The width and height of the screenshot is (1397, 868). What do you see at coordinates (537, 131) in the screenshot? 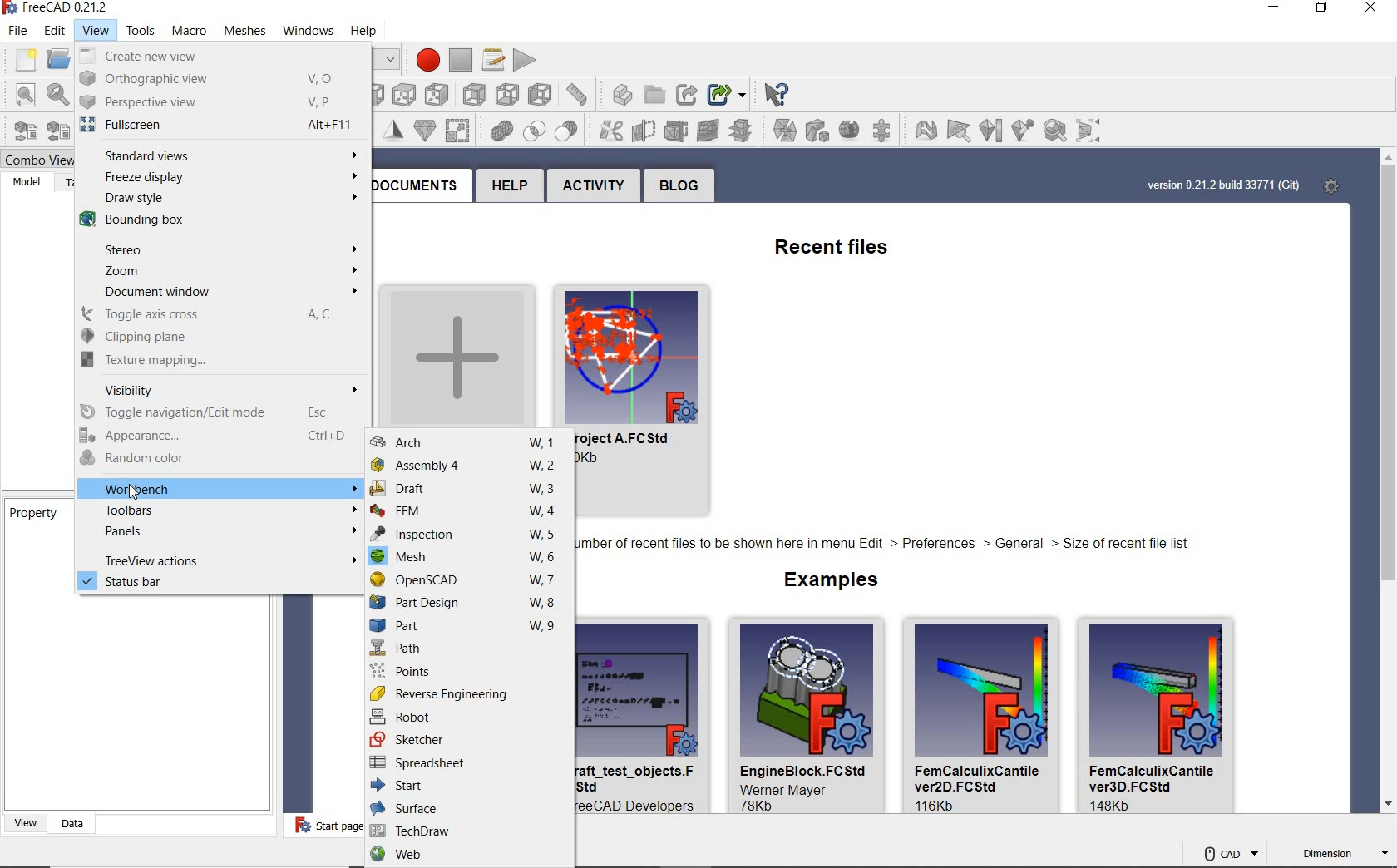
I see `difference` at bounding box center [537, 131].